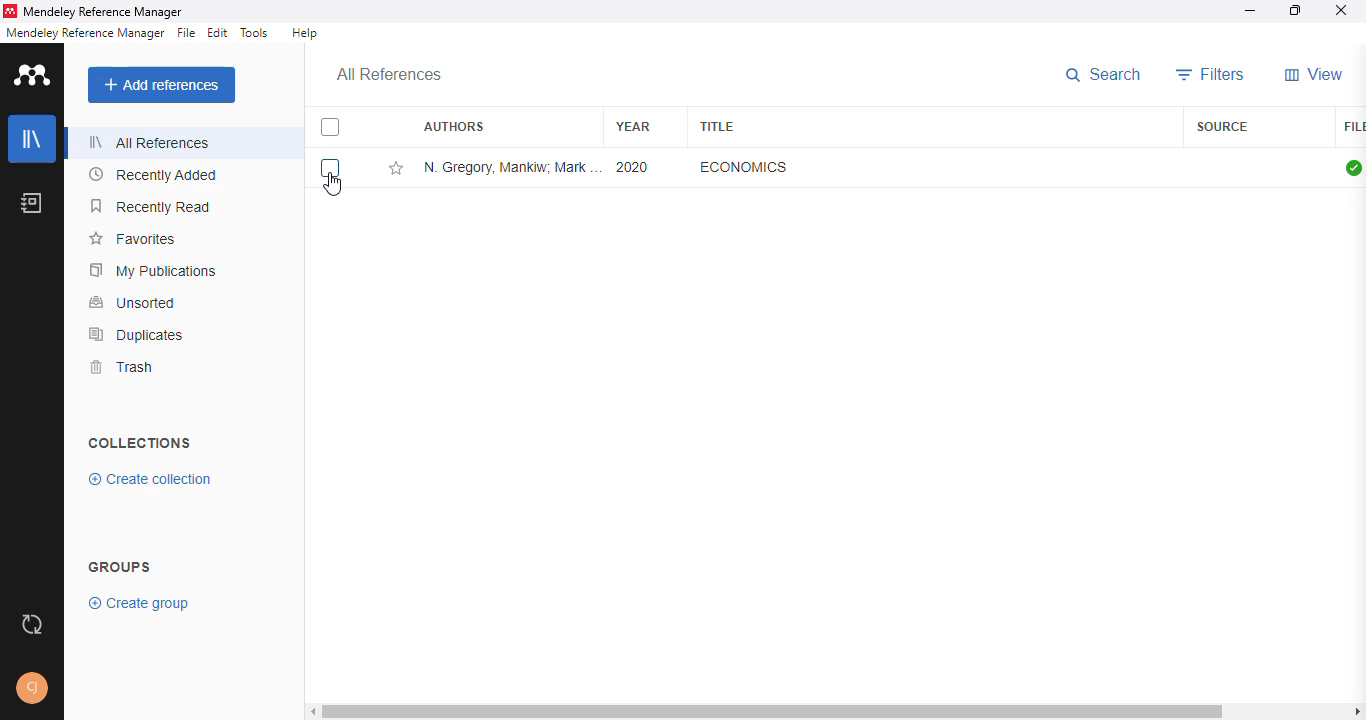 The image size is (1366, 720). Describe the element at coordinates (134, 302) in the screenshot. I see `unsorted` at that location.